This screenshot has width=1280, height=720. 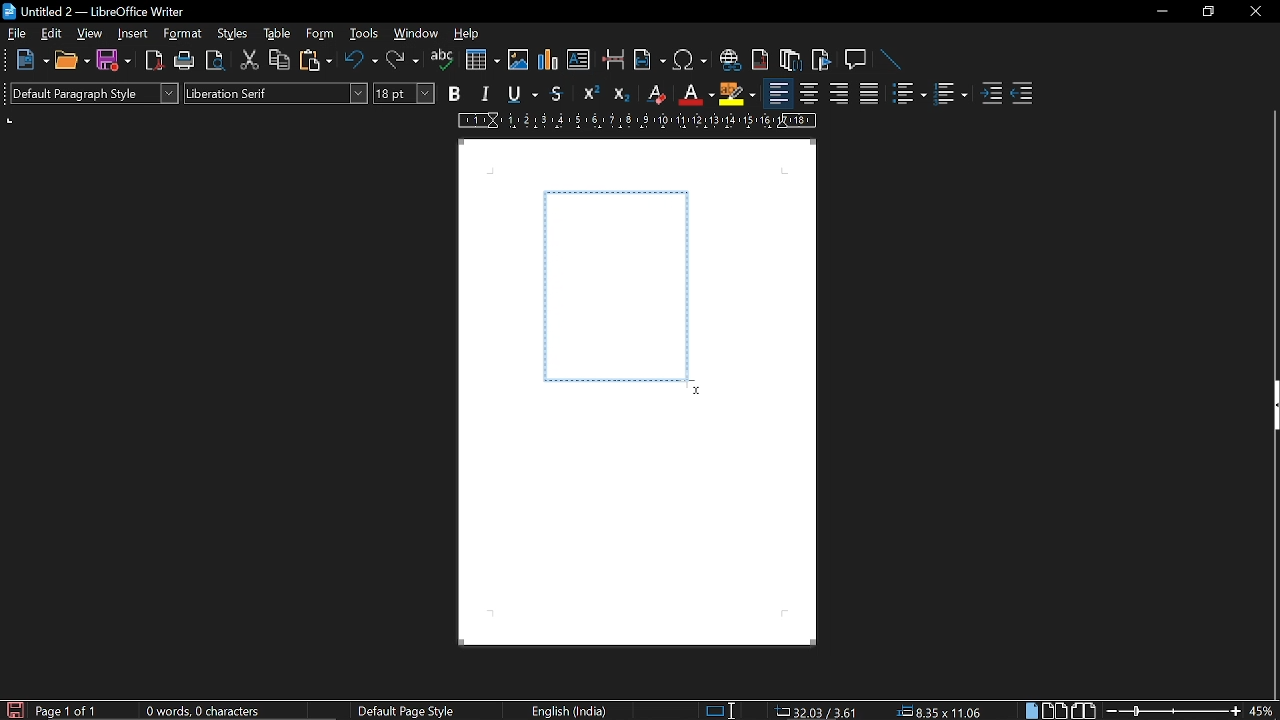 I want to click on change zoom, so click(x=1173, y=711).